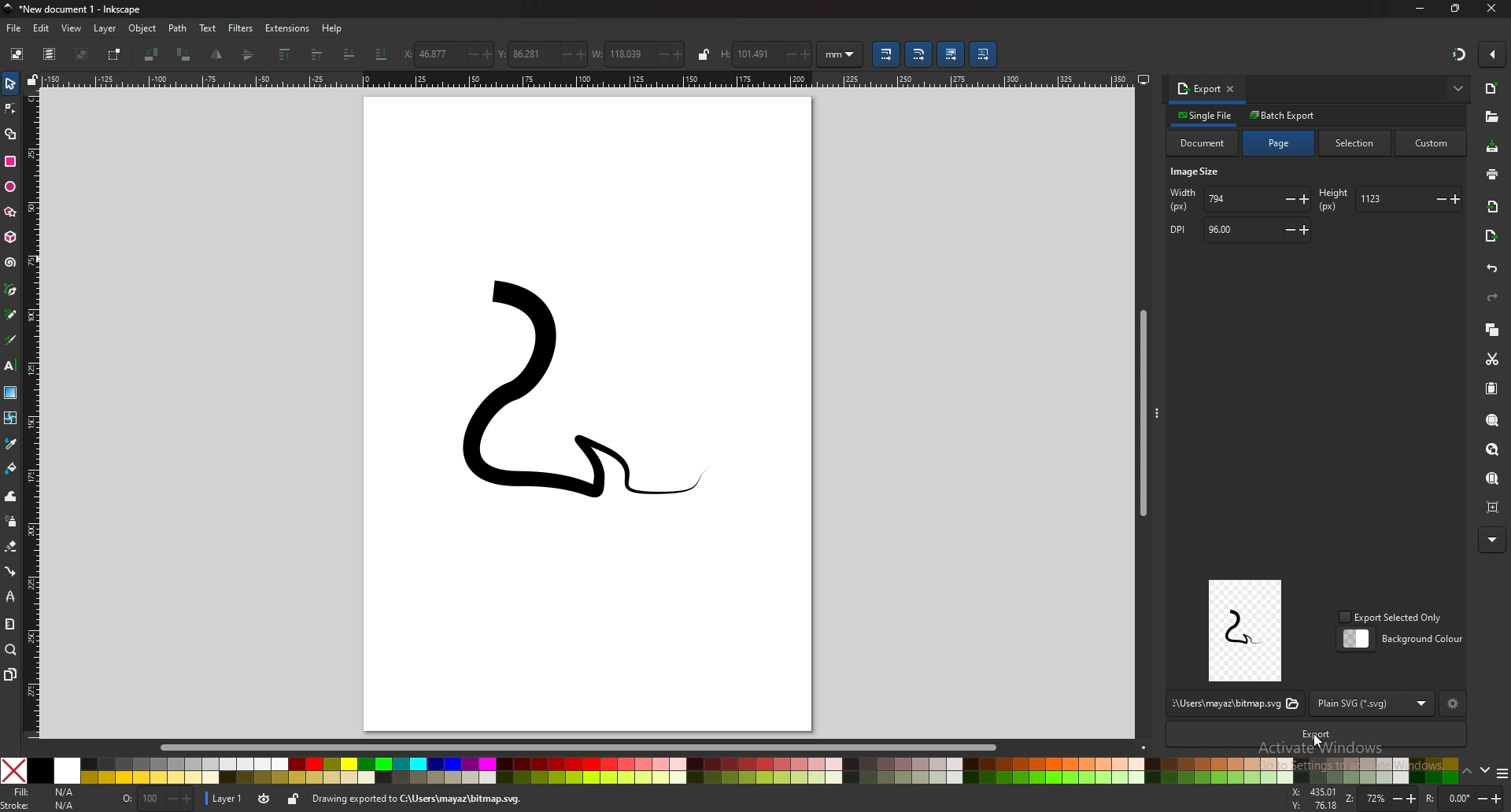  I want to click on selection, so click(1358, 142).